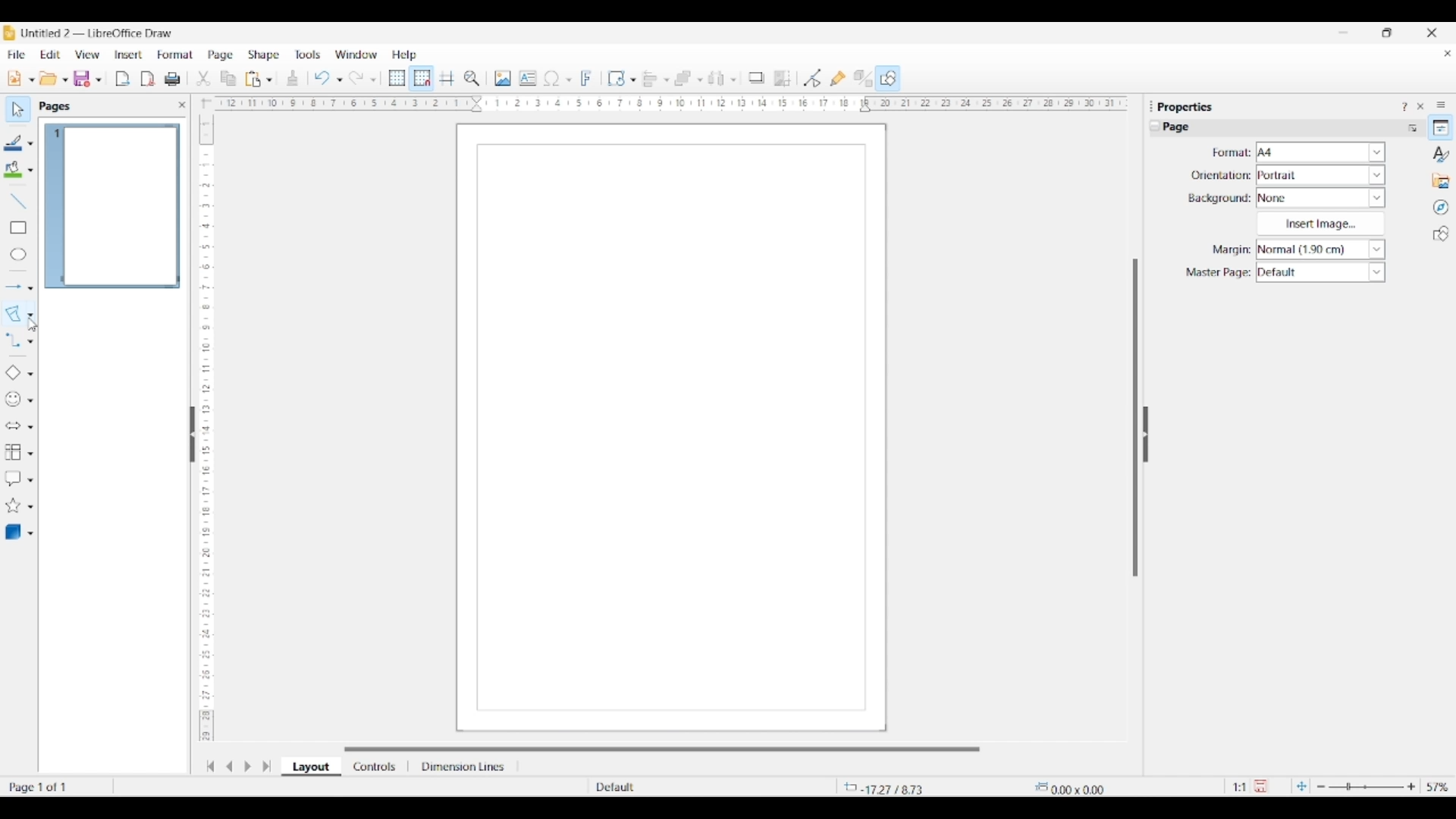 The height and width of the screenshot is (819, 1456). I want to click on Dimension lines, so click(464, 767).